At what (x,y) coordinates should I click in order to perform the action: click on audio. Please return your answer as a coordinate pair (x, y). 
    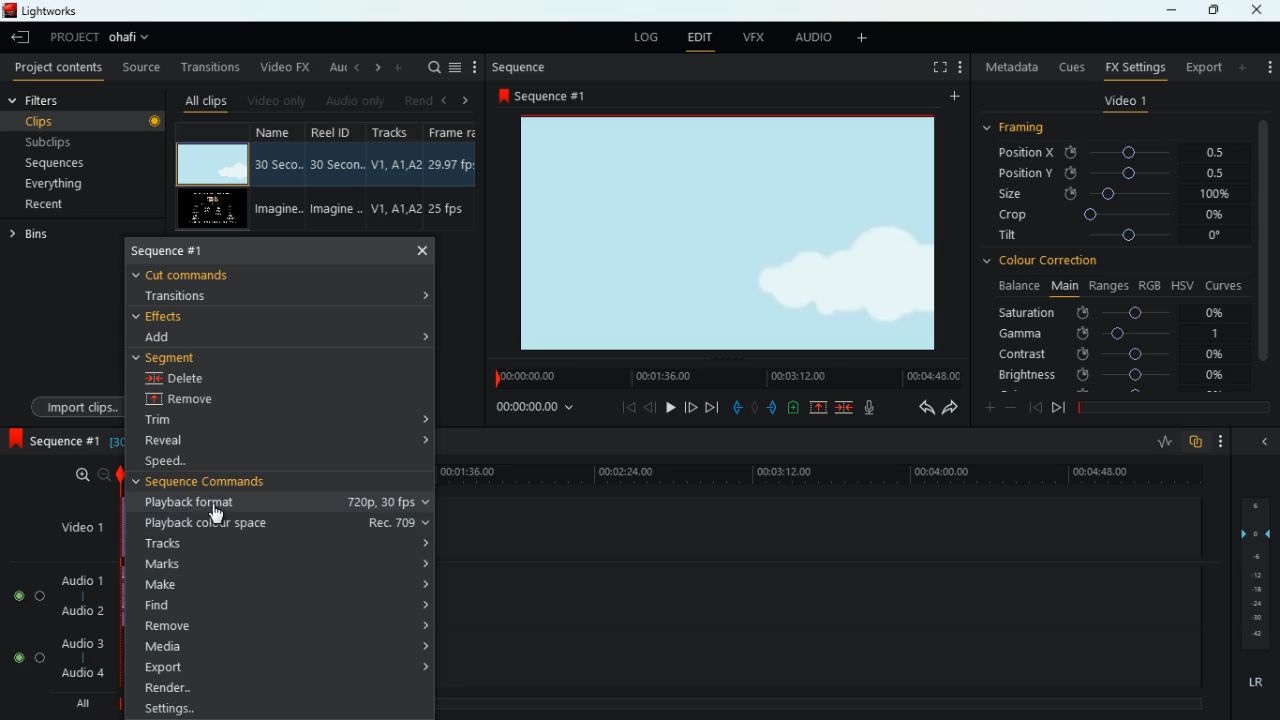
    Looking at the image, I should click on (812, 39).